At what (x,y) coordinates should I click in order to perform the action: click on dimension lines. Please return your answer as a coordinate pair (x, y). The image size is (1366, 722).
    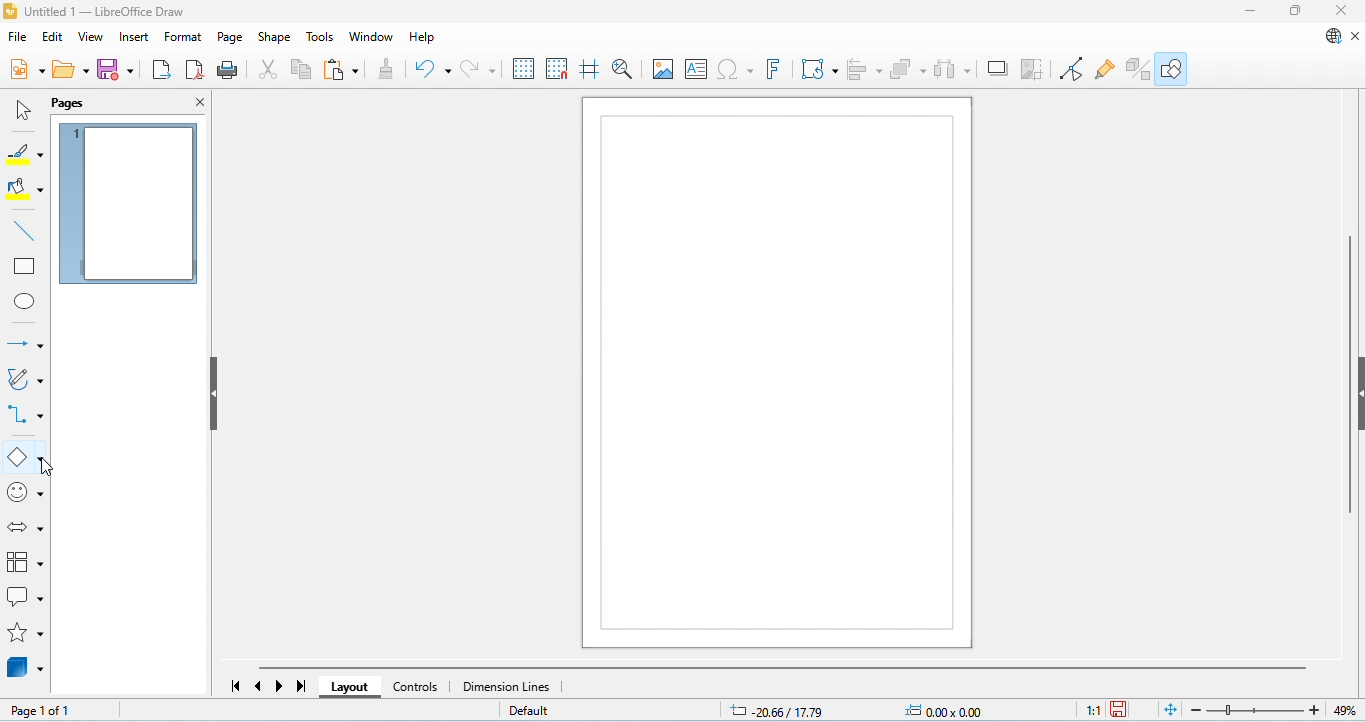
    Looking at the image, I should click on (505, 685).